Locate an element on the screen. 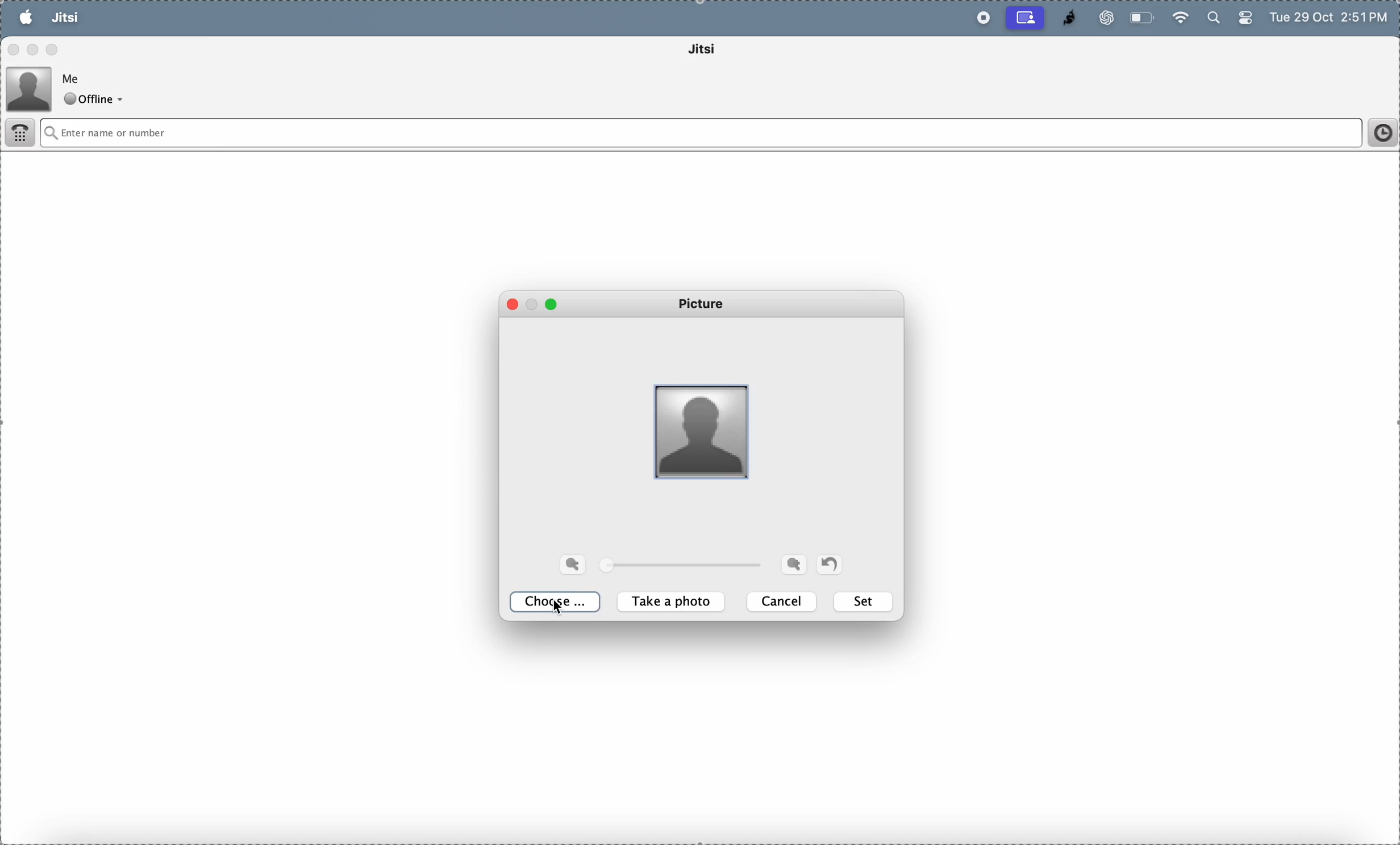 Image resolution: width=1400 pixels, height=845 pixels. Me is located at coordinates (74, 77).